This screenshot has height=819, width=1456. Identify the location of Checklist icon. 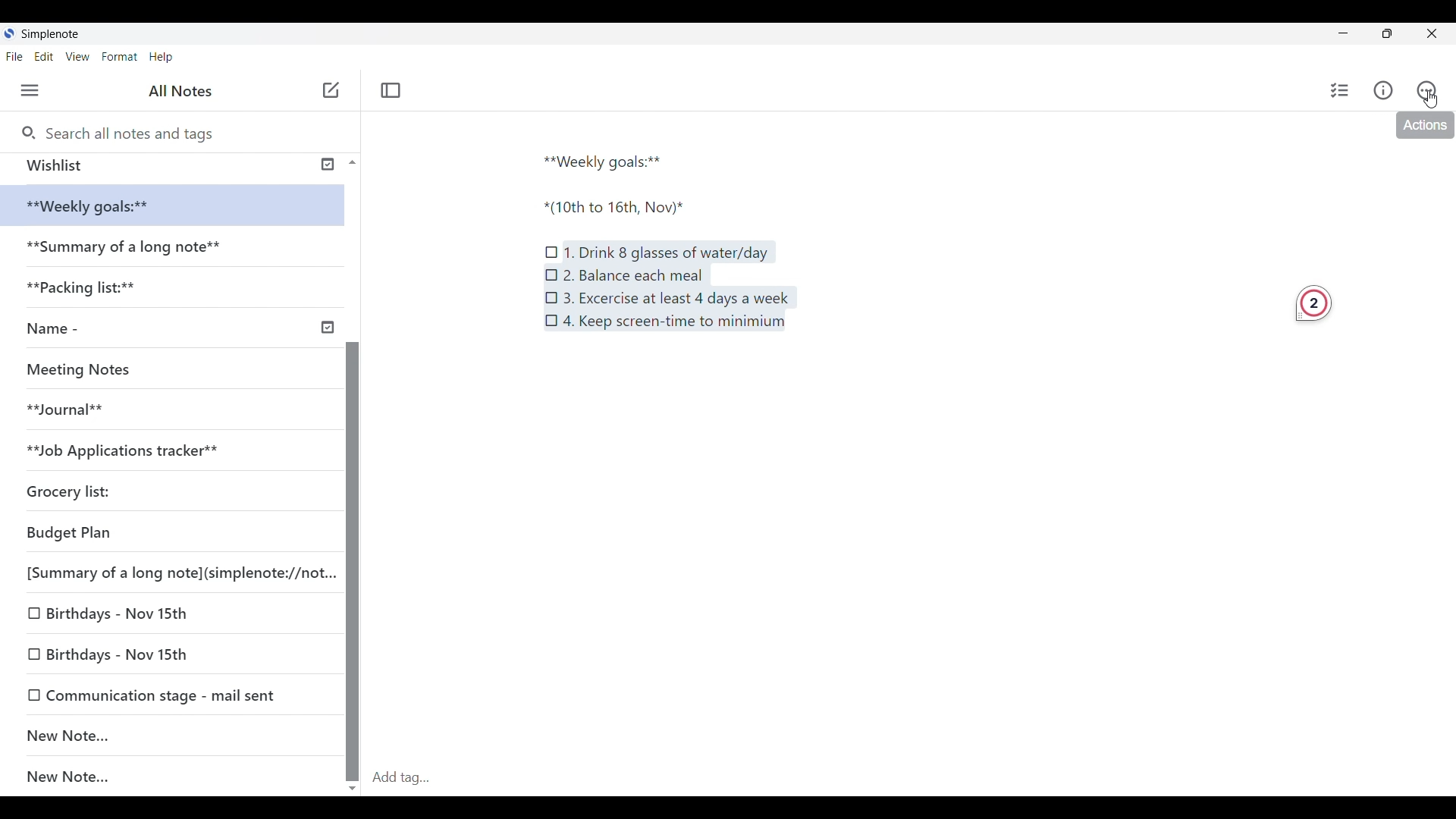
(552, 321).